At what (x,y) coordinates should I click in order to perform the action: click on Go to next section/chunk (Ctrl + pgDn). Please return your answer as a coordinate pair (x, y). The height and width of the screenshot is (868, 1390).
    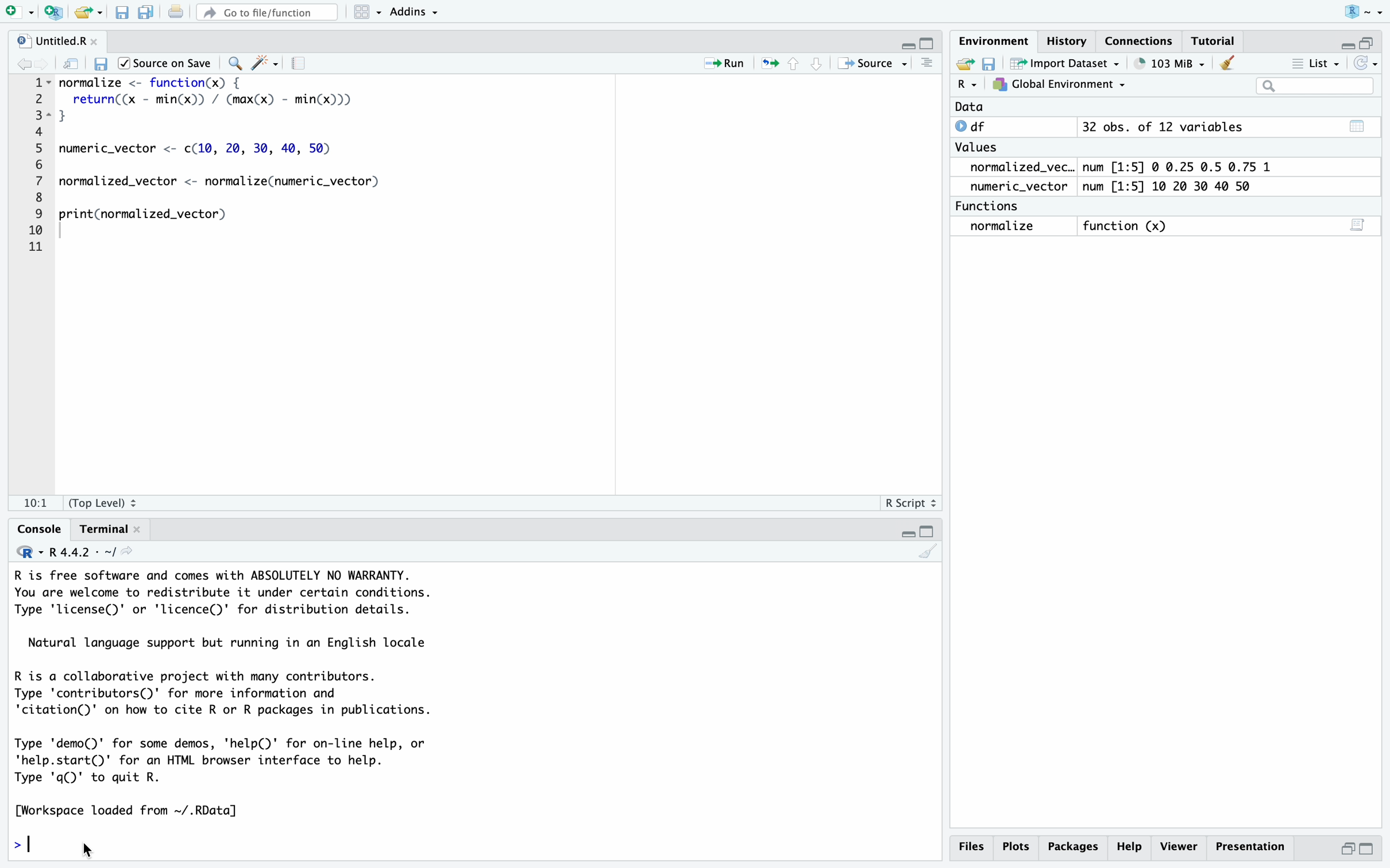
    Looking at the image, I should click on (817, 64).